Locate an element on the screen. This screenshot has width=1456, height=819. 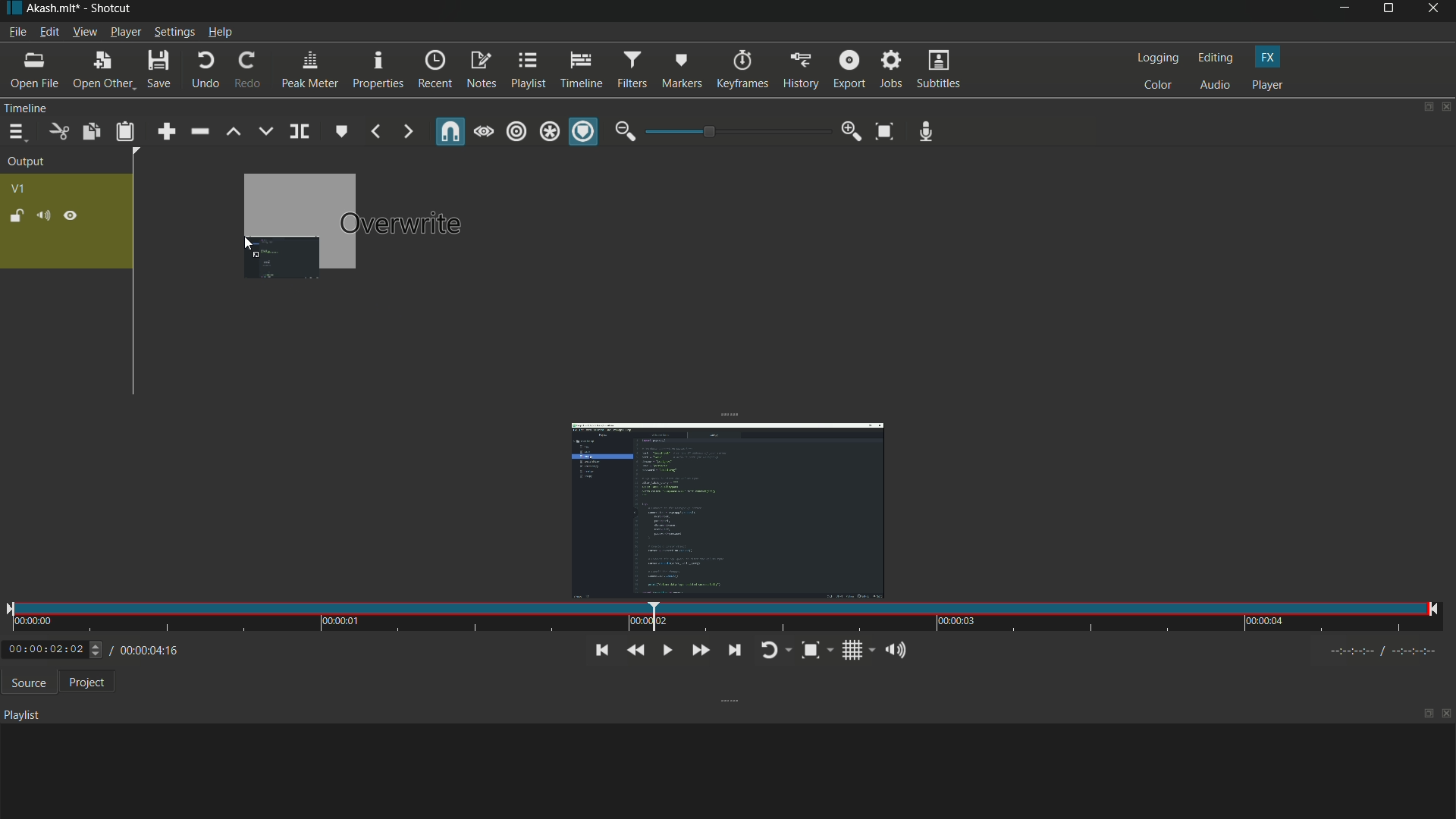
recent is located at coordinates (434, 71).